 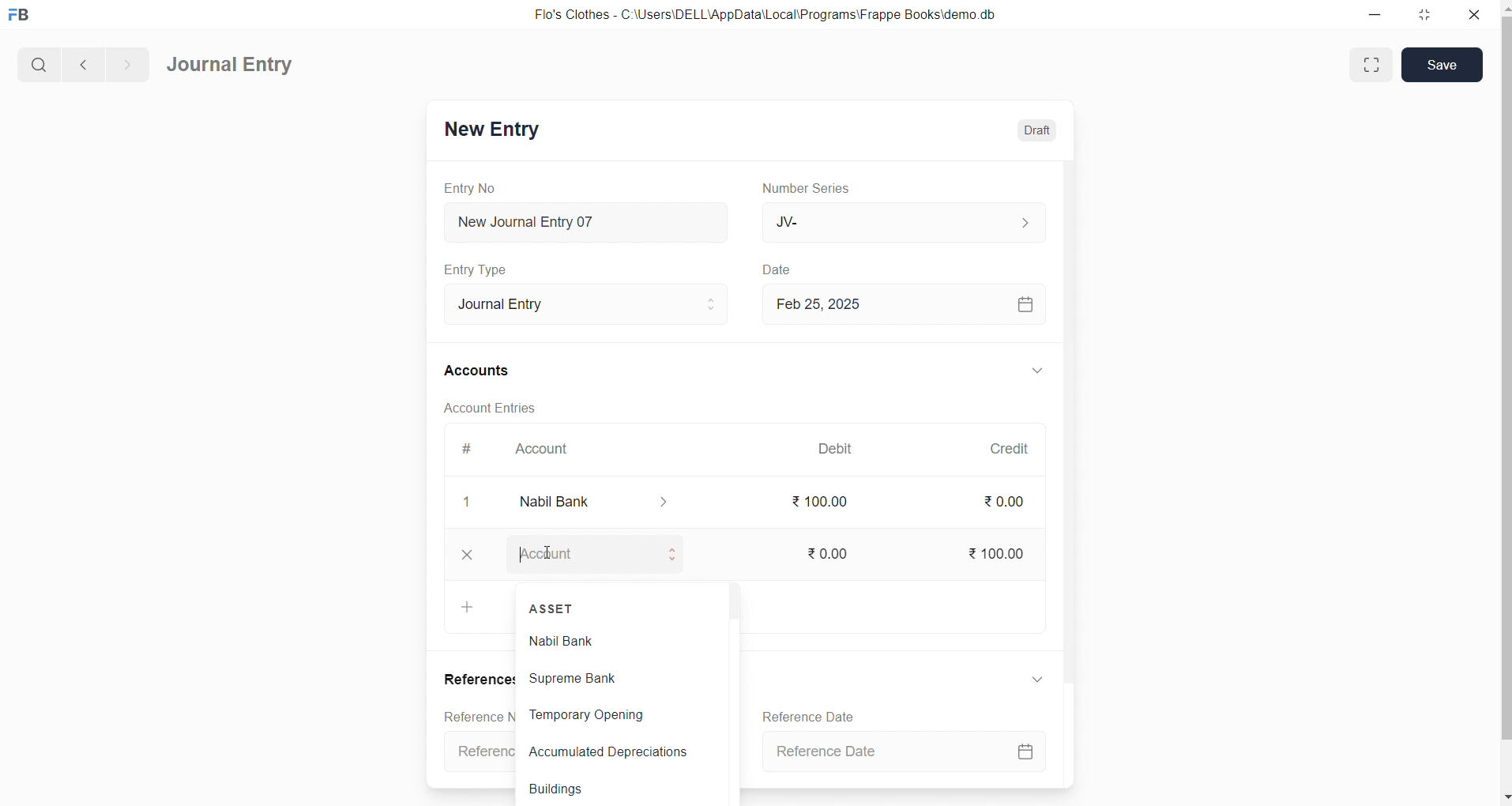 What do you see at coordinates (582, 302) in the screenshot?
I see `Journal Entry` at bounding box center [582, 302].